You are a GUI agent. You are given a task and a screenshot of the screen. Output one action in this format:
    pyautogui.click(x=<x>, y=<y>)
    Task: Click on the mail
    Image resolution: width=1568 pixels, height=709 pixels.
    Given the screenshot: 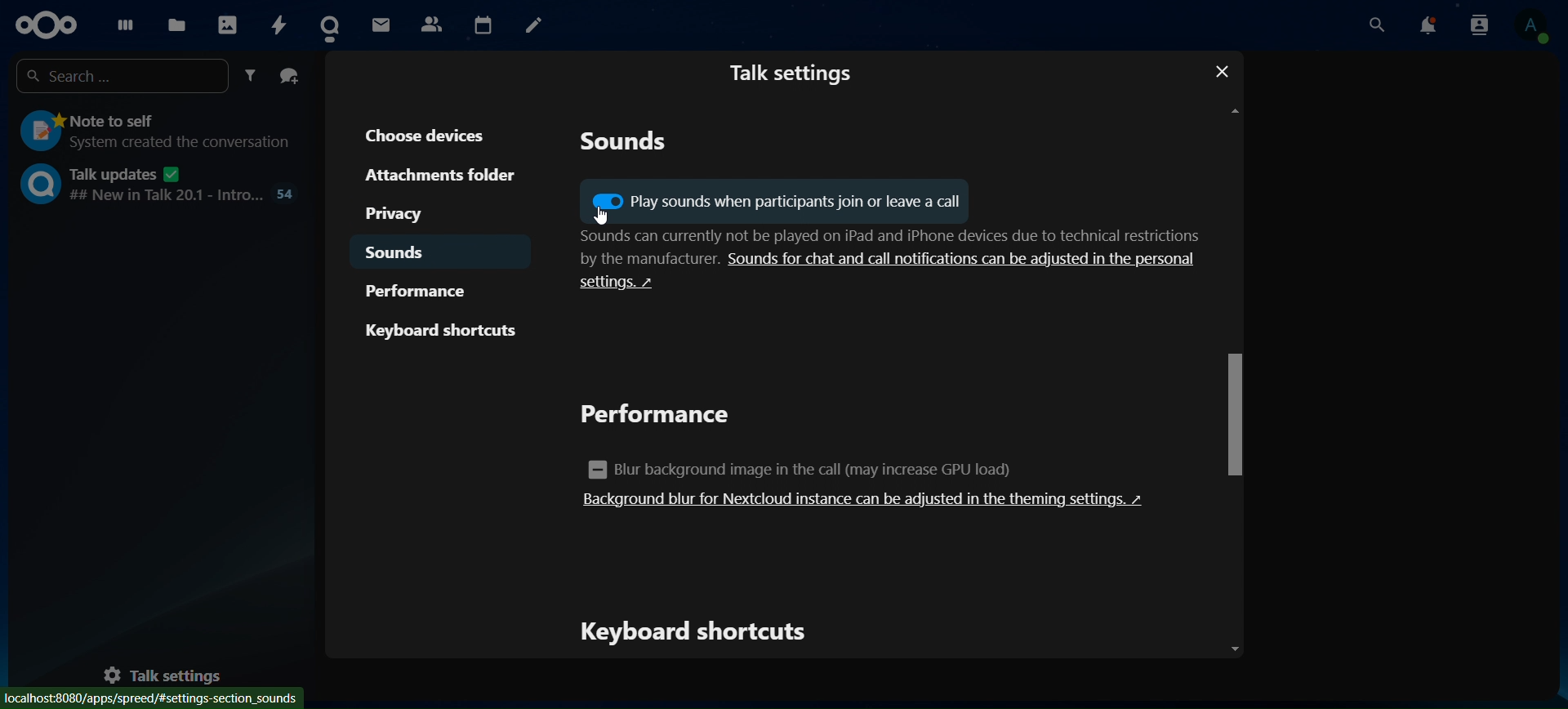 What is the action you would take?
    pyautogui.click(x=381, y=24)
    